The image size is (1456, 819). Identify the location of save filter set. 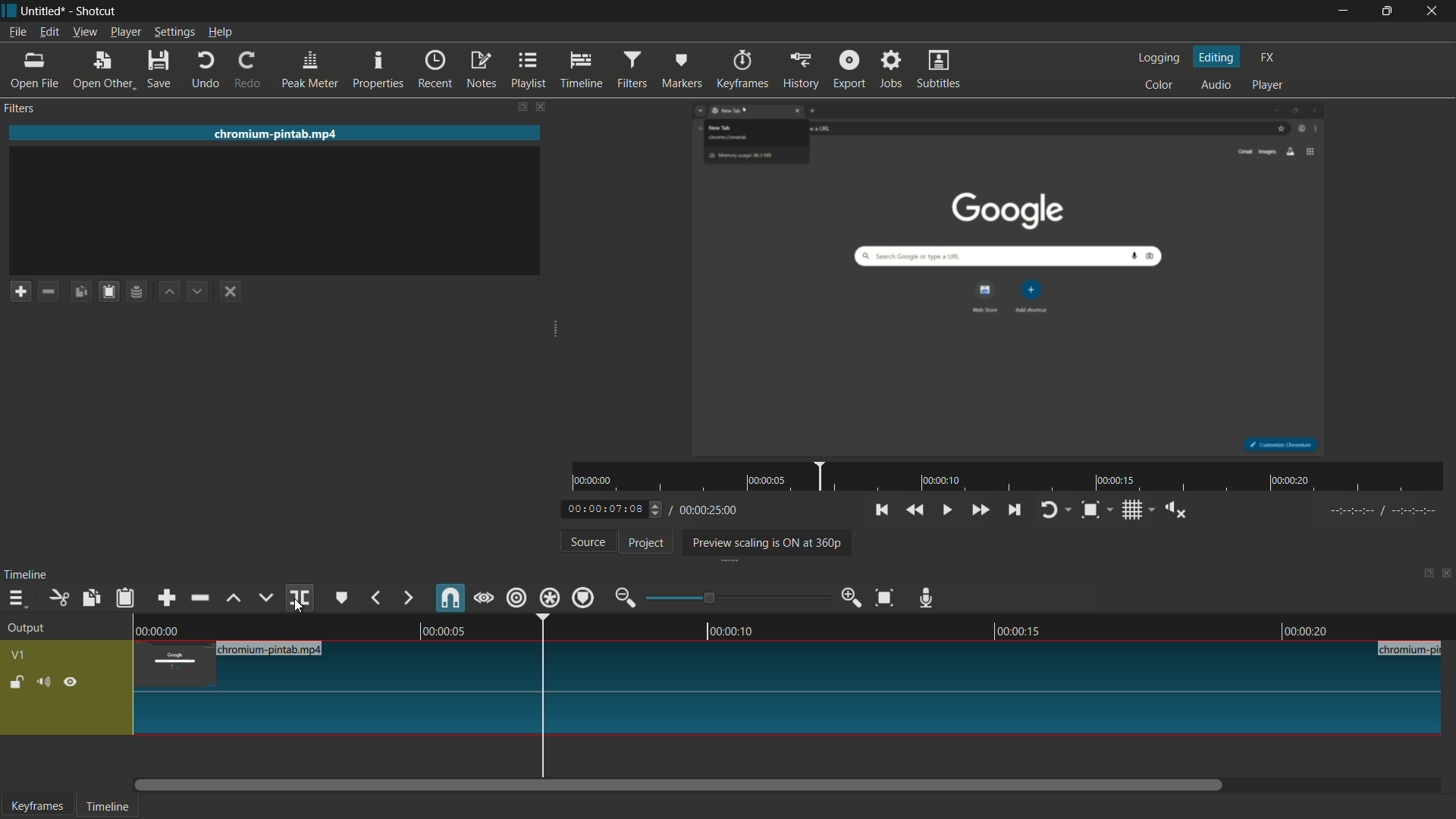
(136, 291).